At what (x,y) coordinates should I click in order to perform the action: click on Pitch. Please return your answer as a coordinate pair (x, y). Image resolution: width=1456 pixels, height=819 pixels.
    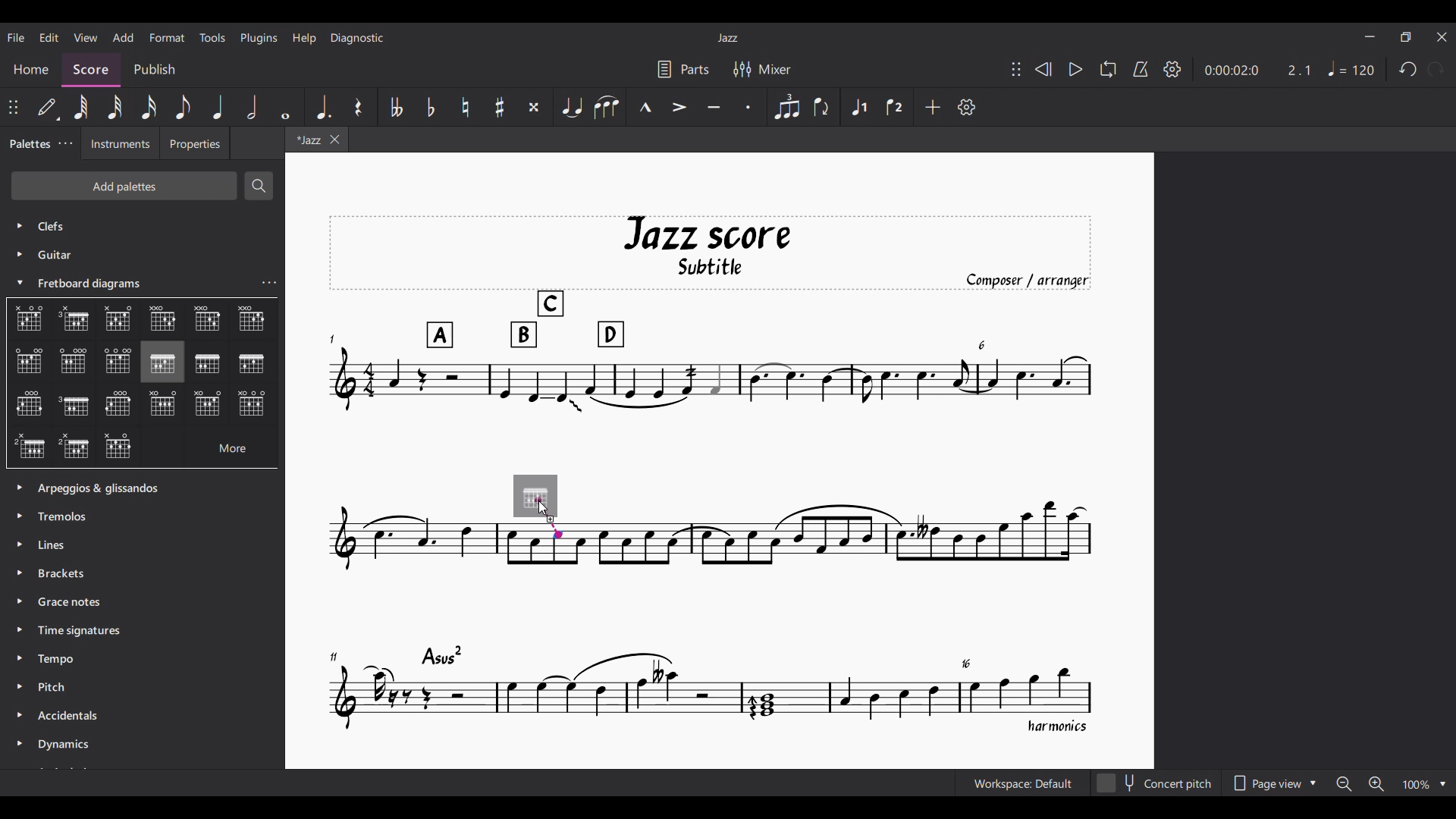
    Looking at the image, I should click on (64, 689).